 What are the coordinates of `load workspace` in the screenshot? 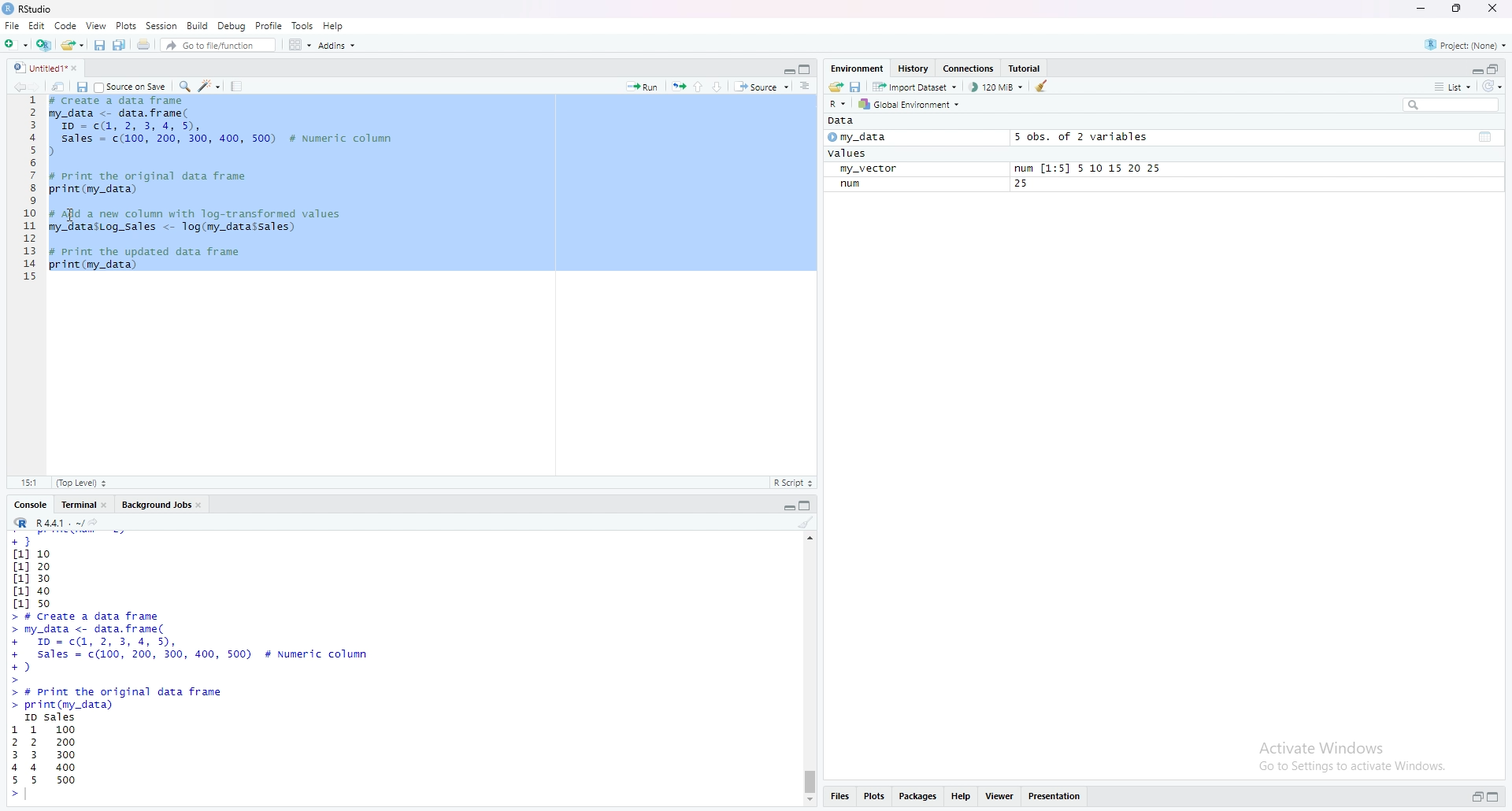 It's located at (833, 87).